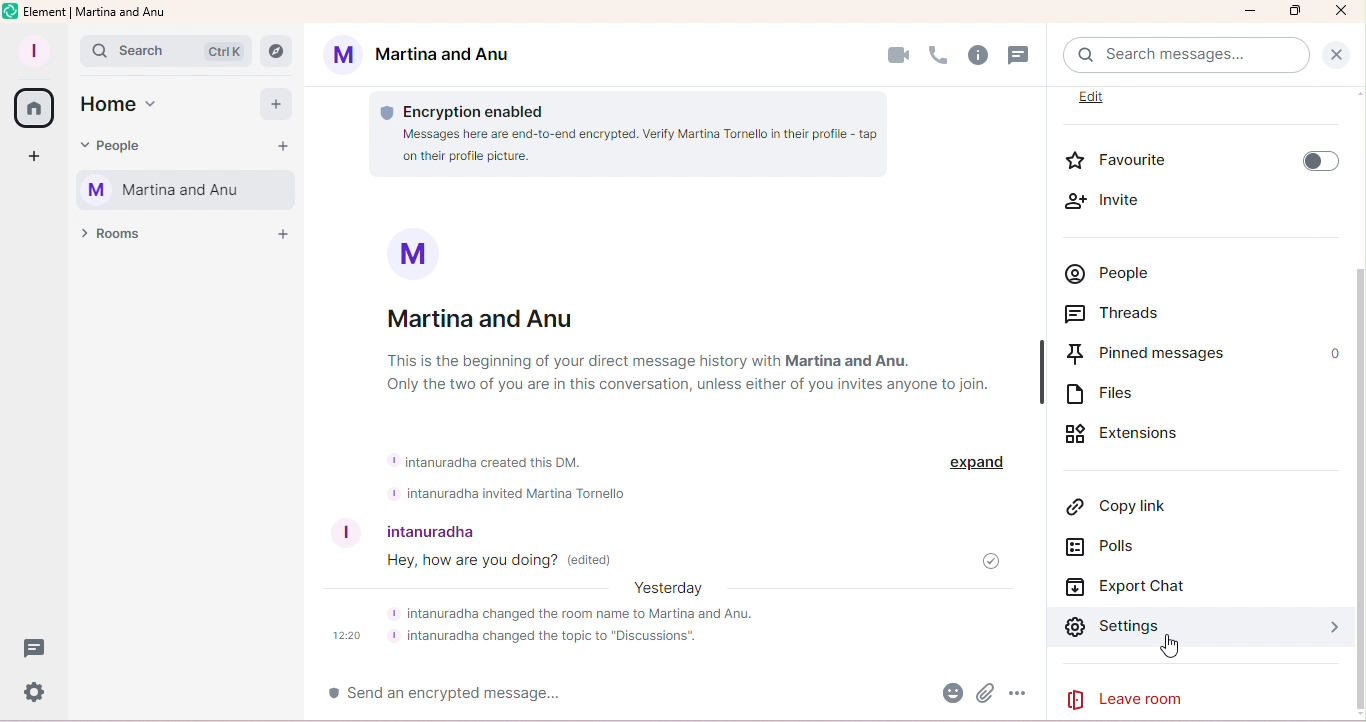 The width and height of the screenshot is (1366, 722). What do you see at coordinates (621, 146) in the screenshot?
I see `Messeges here are end-to-end encrypted. Verify Martina Tornello in their profile. tap on their profile picture` at bounding box center [621, 146].